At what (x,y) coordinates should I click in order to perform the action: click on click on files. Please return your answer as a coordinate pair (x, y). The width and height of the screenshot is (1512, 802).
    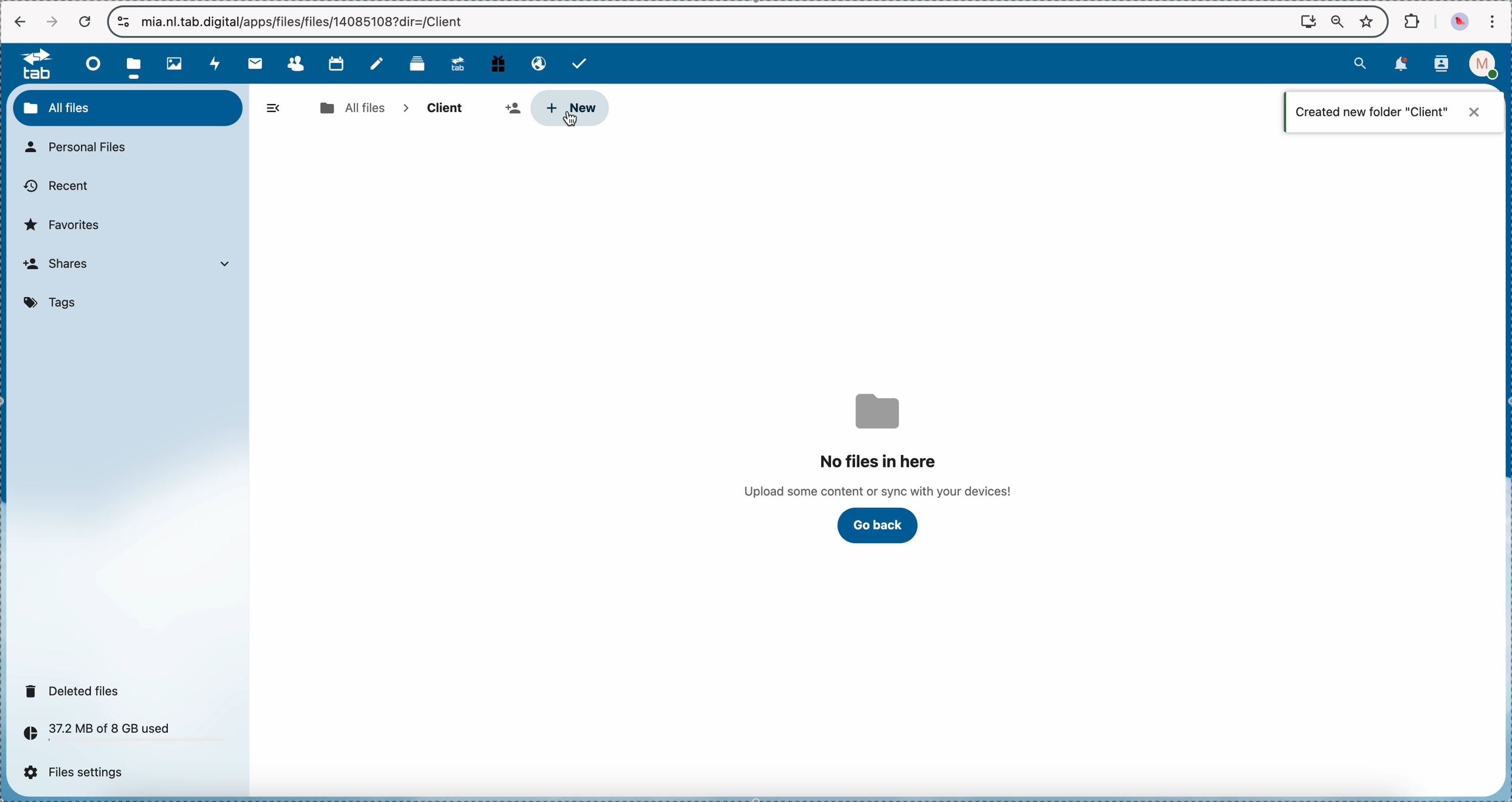
    Looking at the image, I should click on (137, 63).